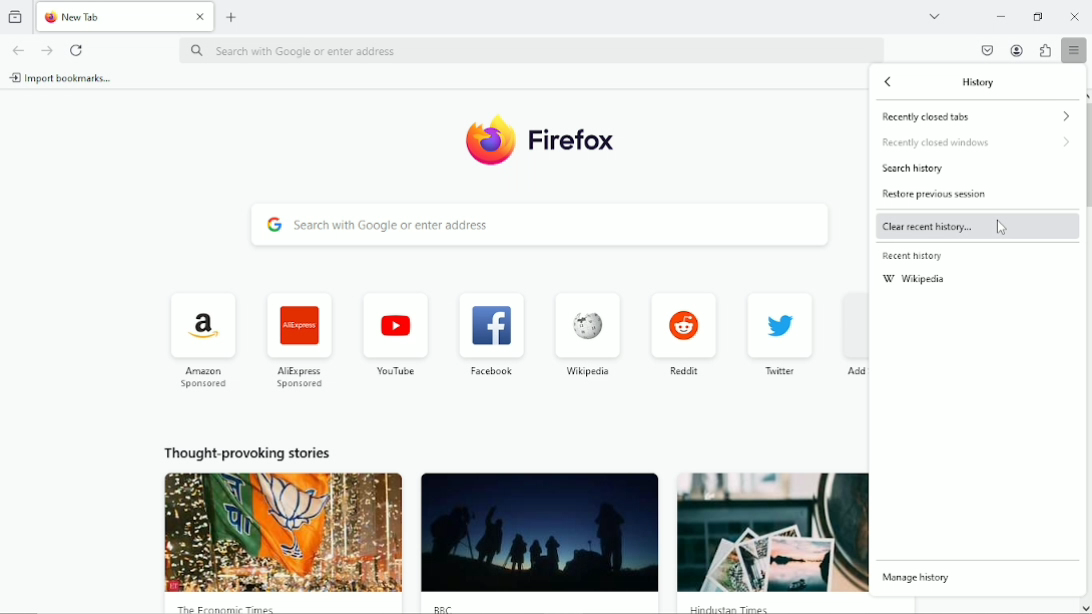 This screenshot has width=1092, height=614. Describe the element at coordinates (986, 51) in the screenshot. I see `save to pocket` at that location.